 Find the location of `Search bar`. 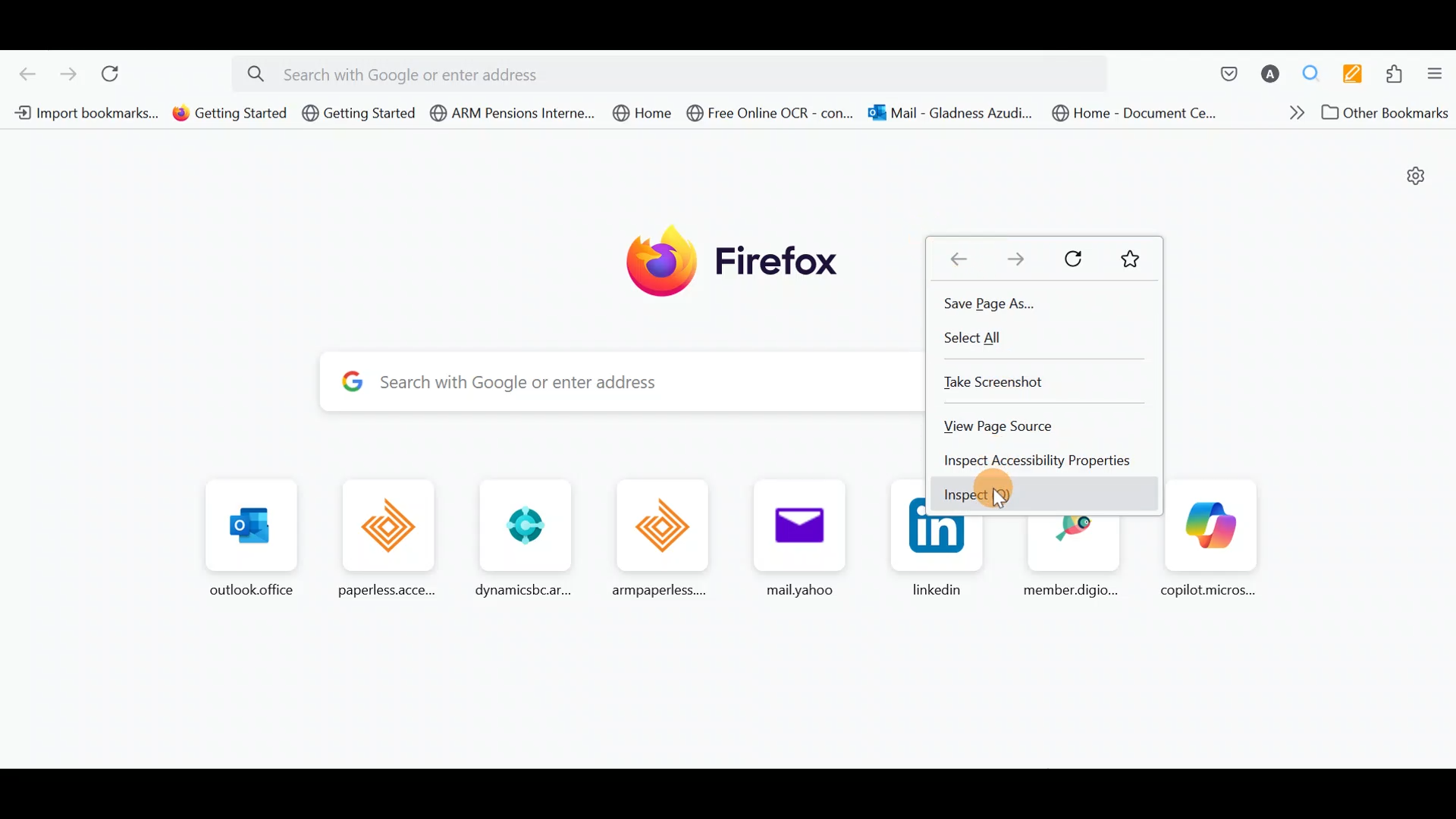

Search bar is located at coordinates (606, 383).